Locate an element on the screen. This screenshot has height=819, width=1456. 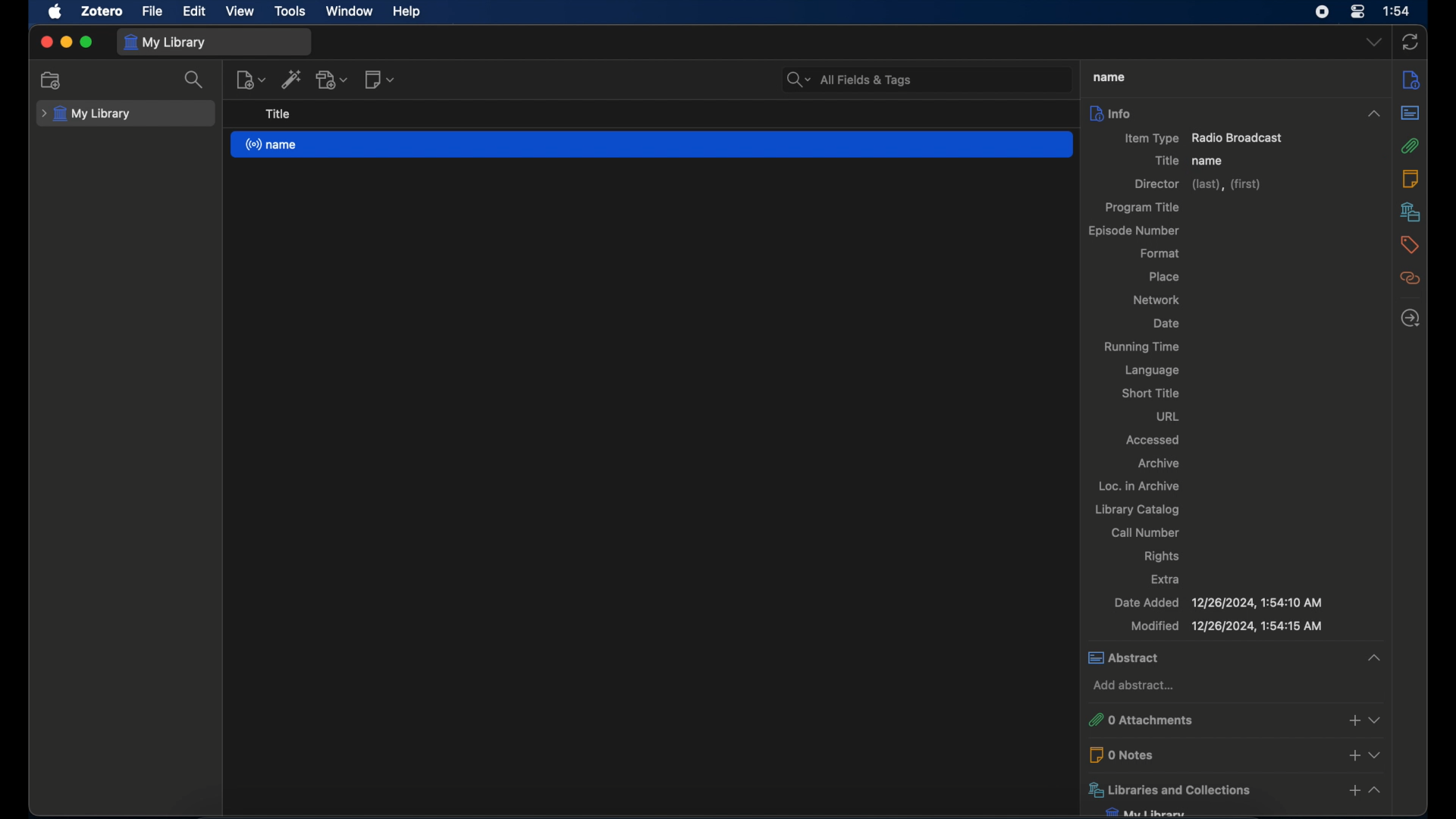
add item by identifier is located at coordinates (293, 79).